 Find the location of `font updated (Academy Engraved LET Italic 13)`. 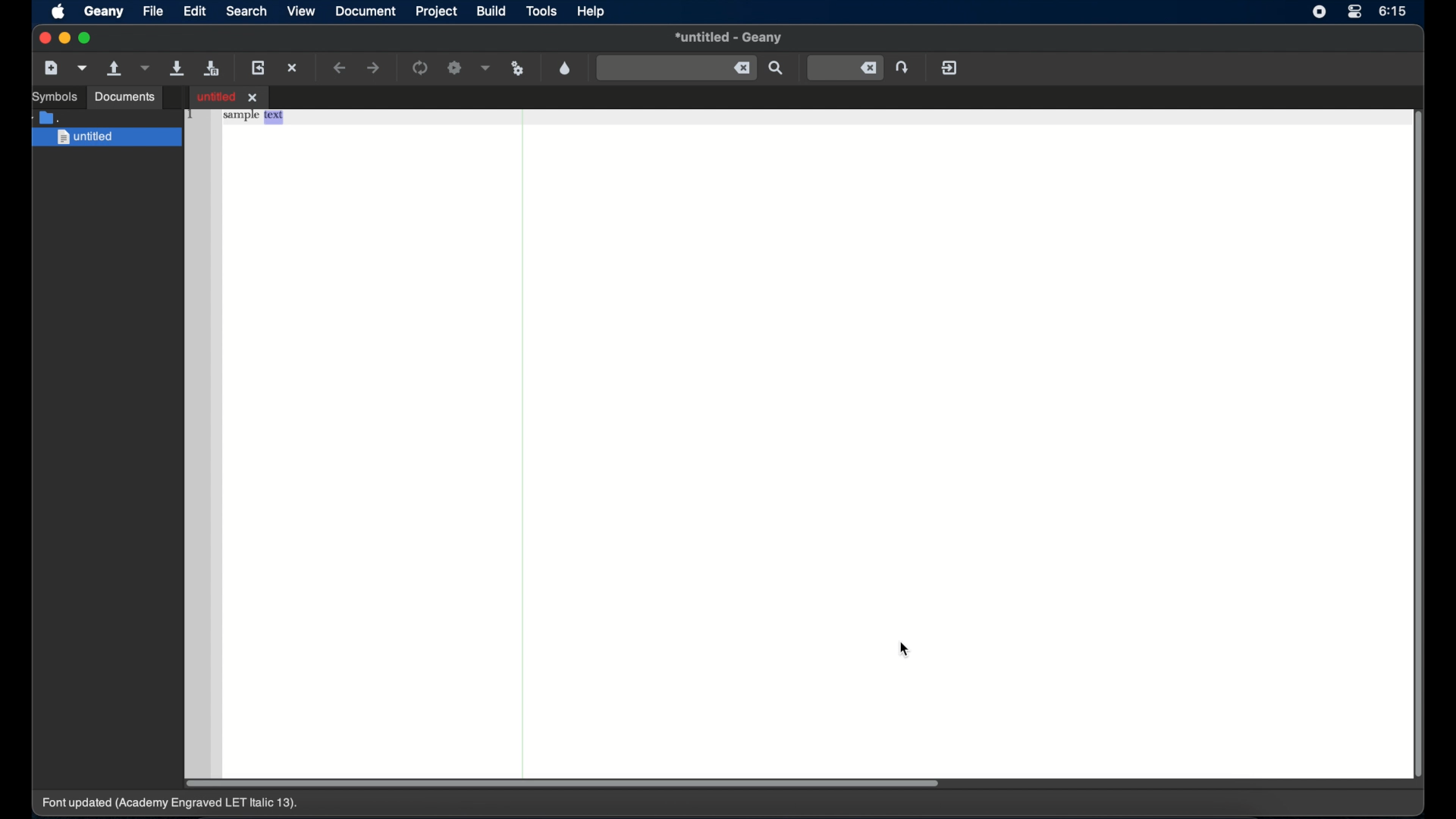

font updated (Academy Engraved LET Italic 13) is located at coordinates (177, 806).